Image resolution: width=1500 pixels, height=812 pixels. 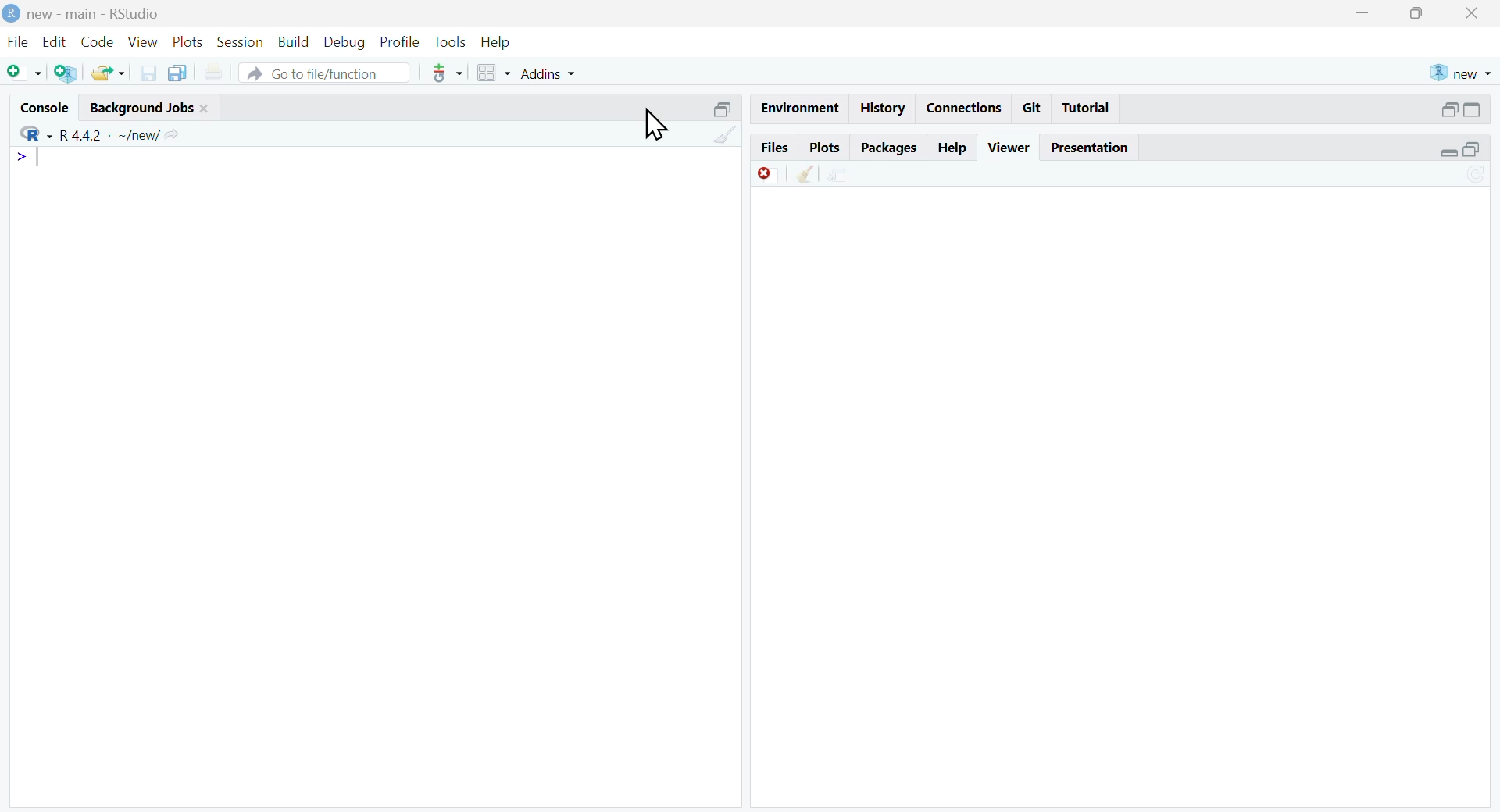 What do you see at coordinates (109, 73) in the screenshot?
I see `share folder as` at bounding box center [109, 73].